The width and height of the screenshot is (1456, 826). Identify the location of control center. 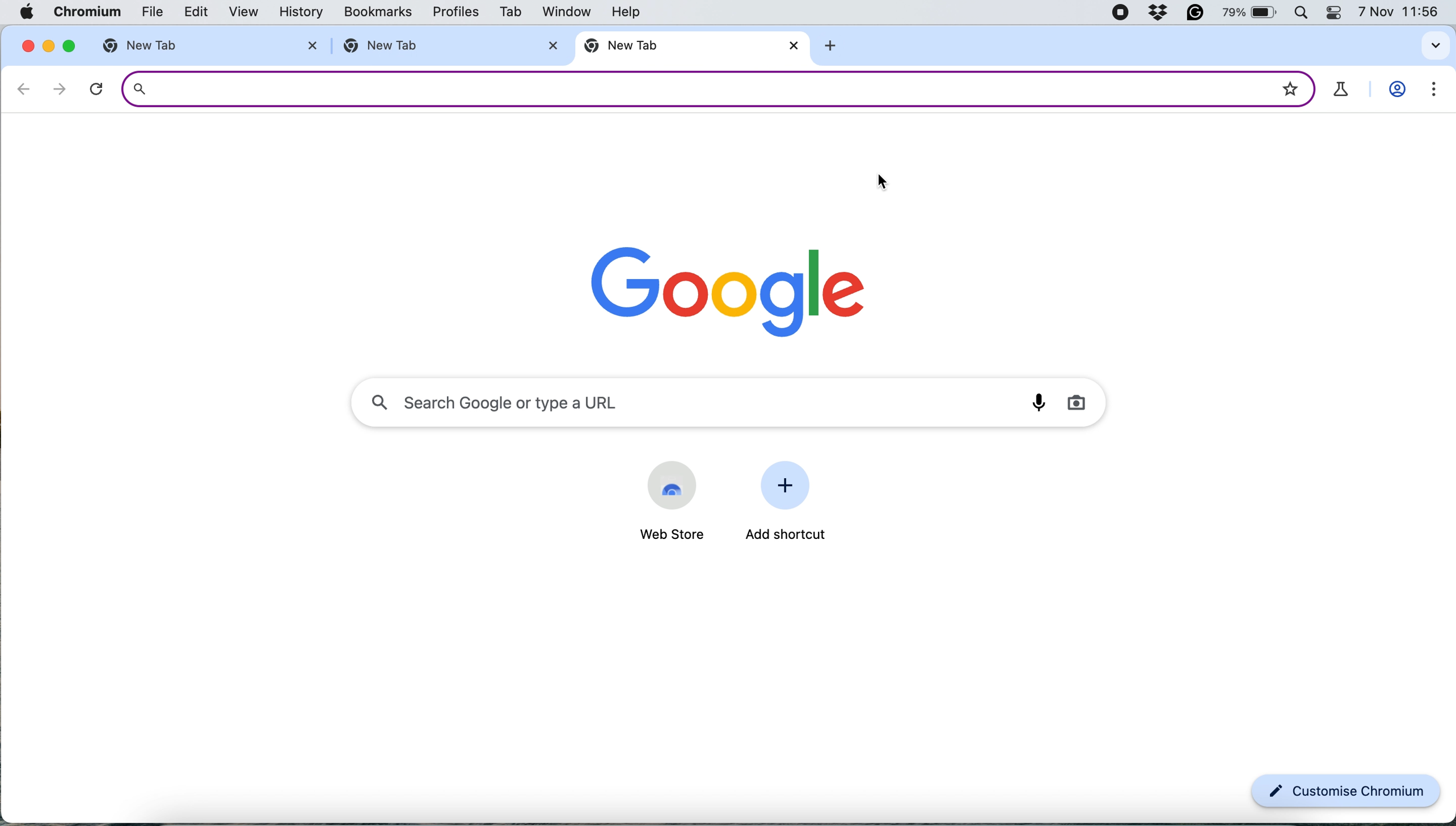
(1337, 13).